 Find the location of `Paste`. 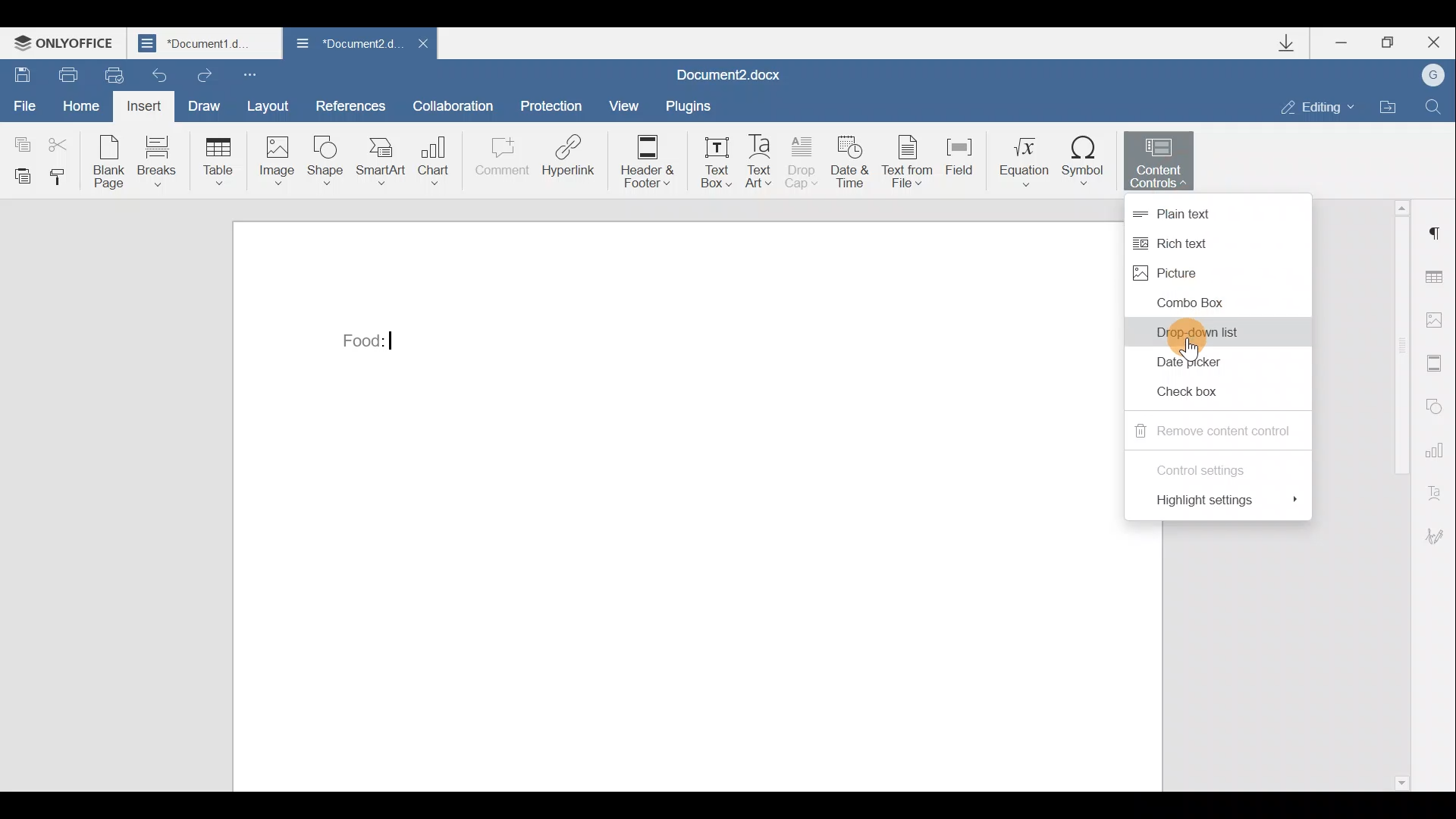

Paste is located at coordinates (17, 175).